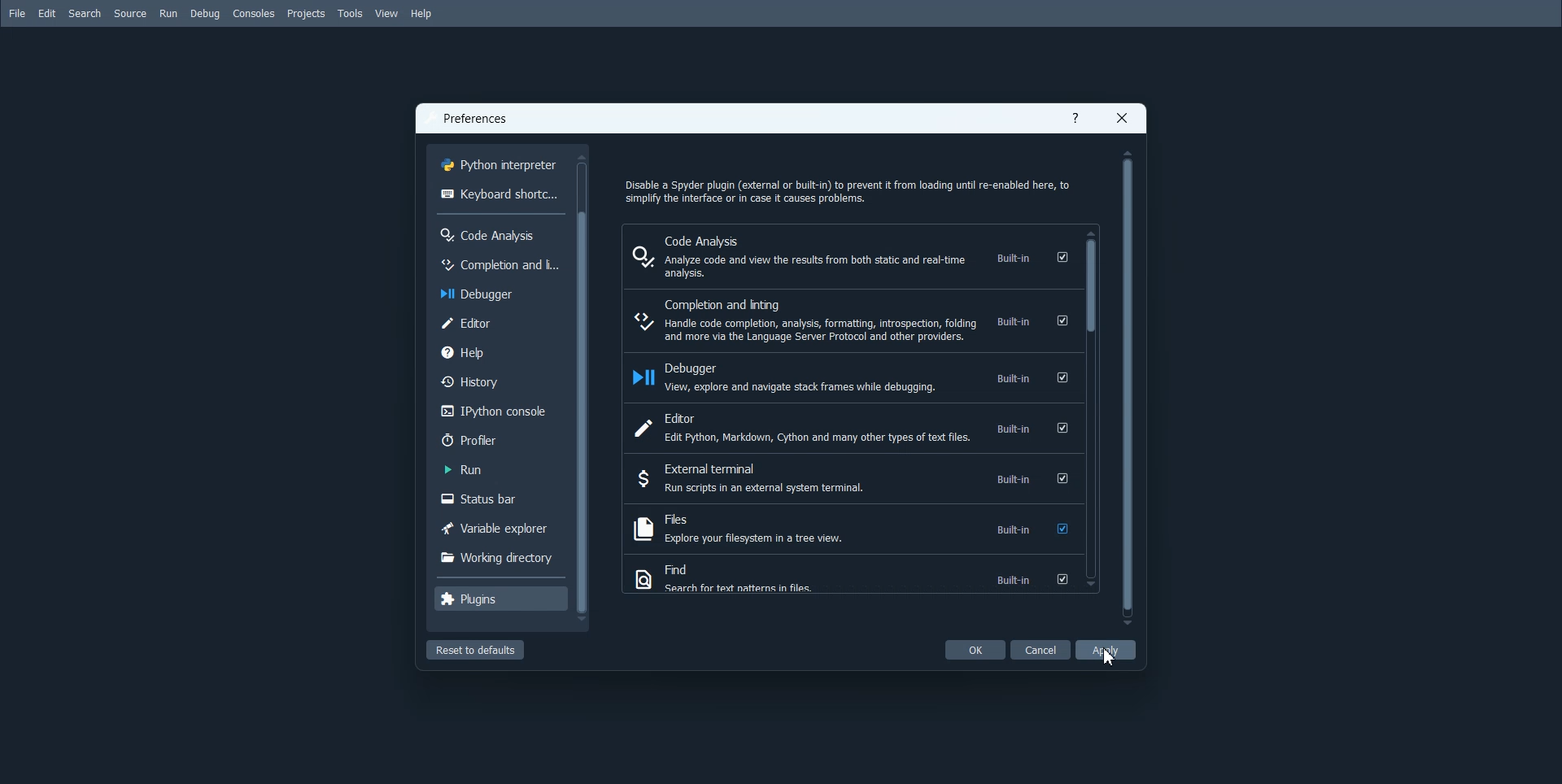 This screenshot has height=784, width=1562. What do you see at coordinates (305, 14) in the screenshot?
I see `Projects` at bounding box center [305, 14].